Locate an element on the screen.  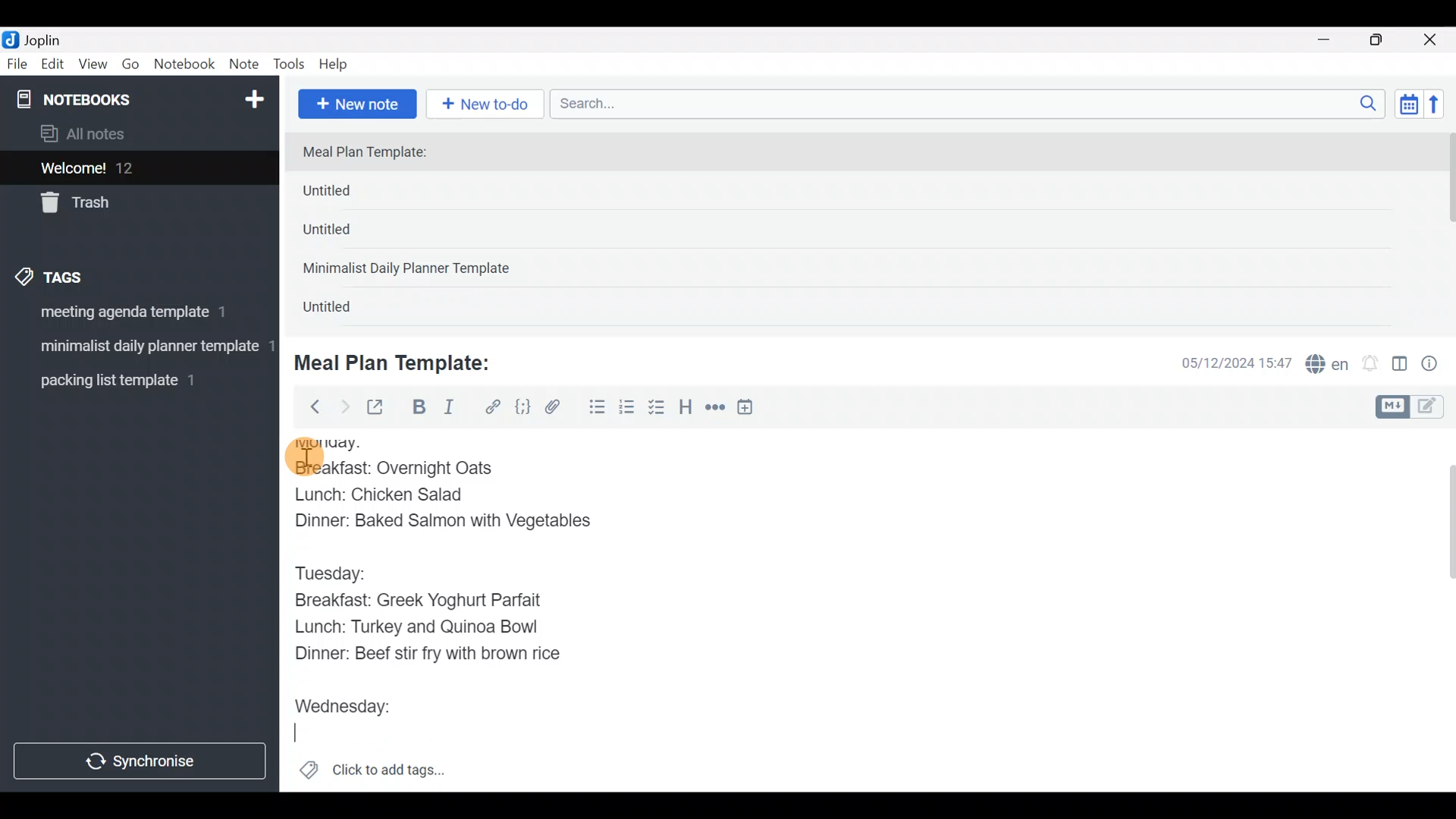
Toggle sort order is located at coordinates (1408, 105).